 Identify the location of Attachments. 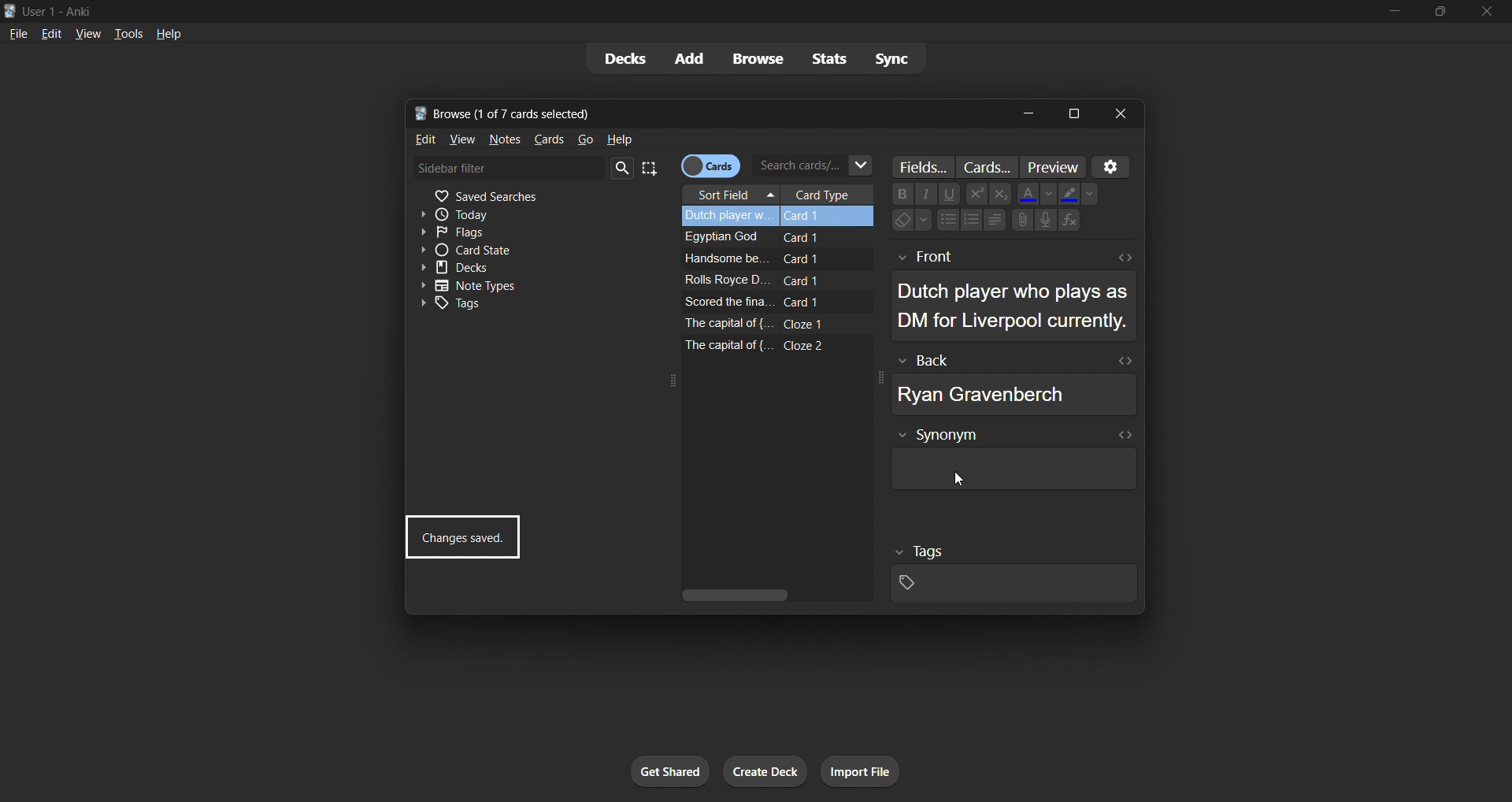
(1020, 223).